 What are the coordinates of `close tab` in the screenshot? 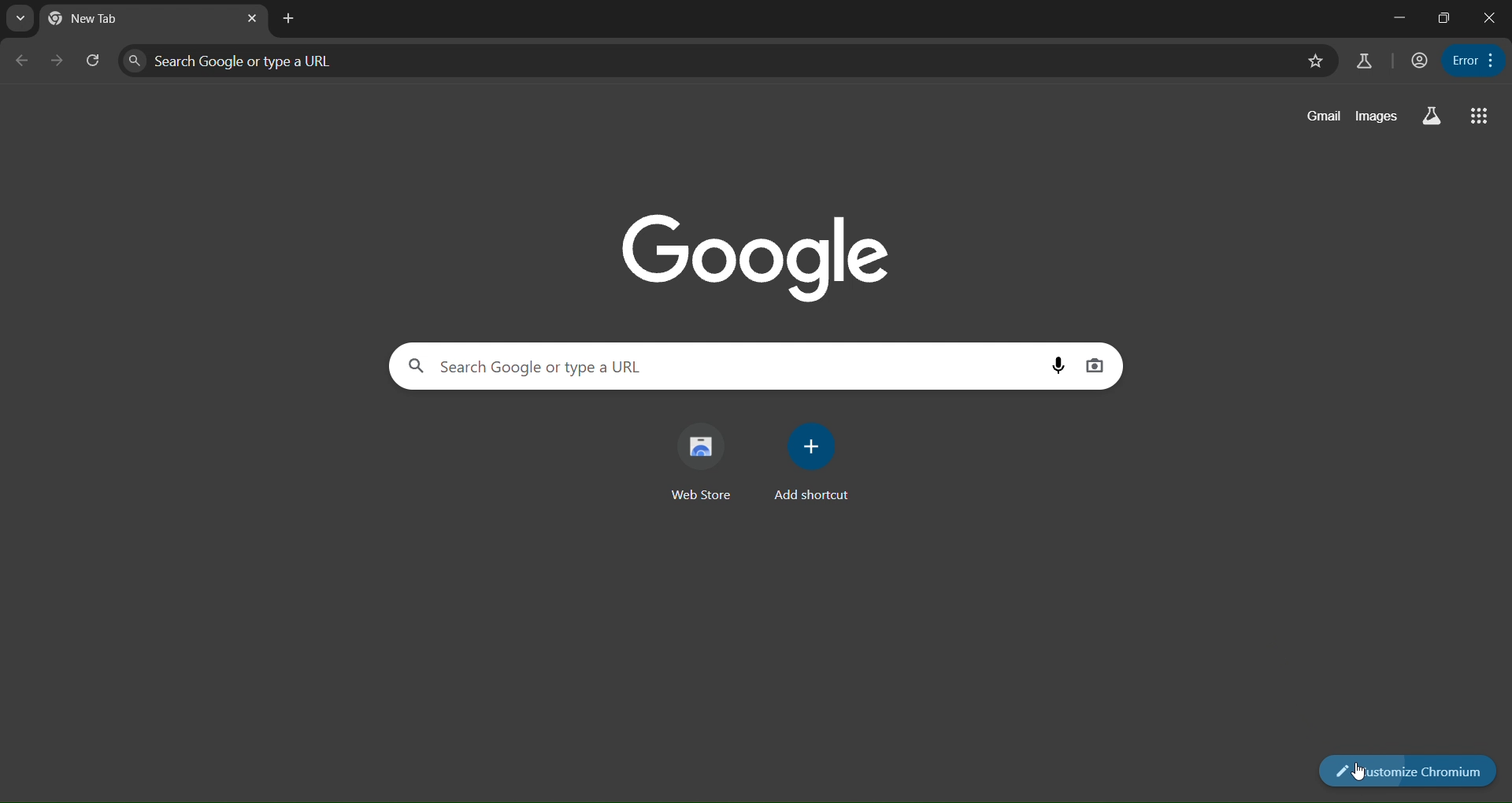 It's located at (250, 19).